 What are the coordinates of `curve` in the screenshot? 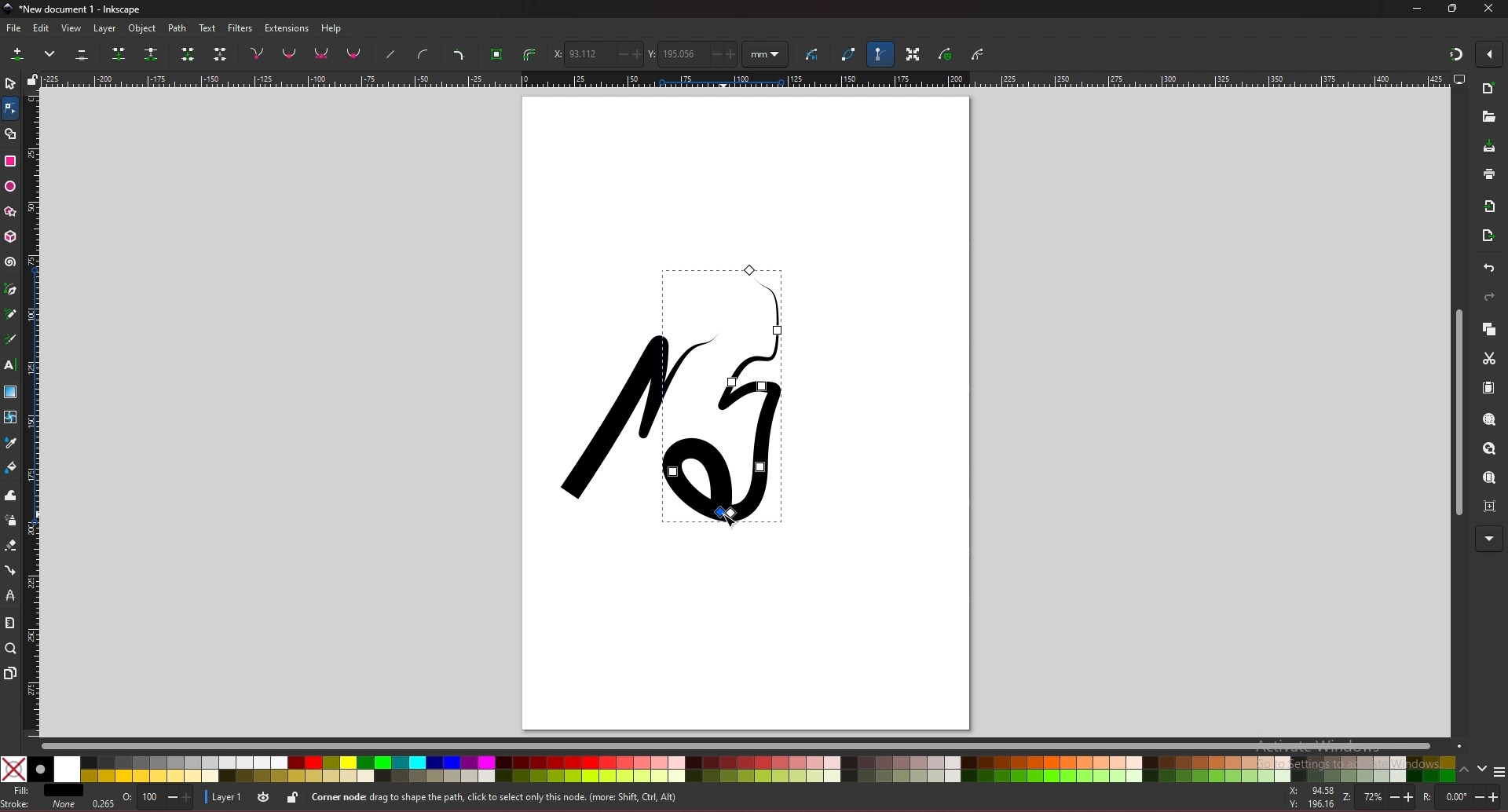 It's located at (814, 52).